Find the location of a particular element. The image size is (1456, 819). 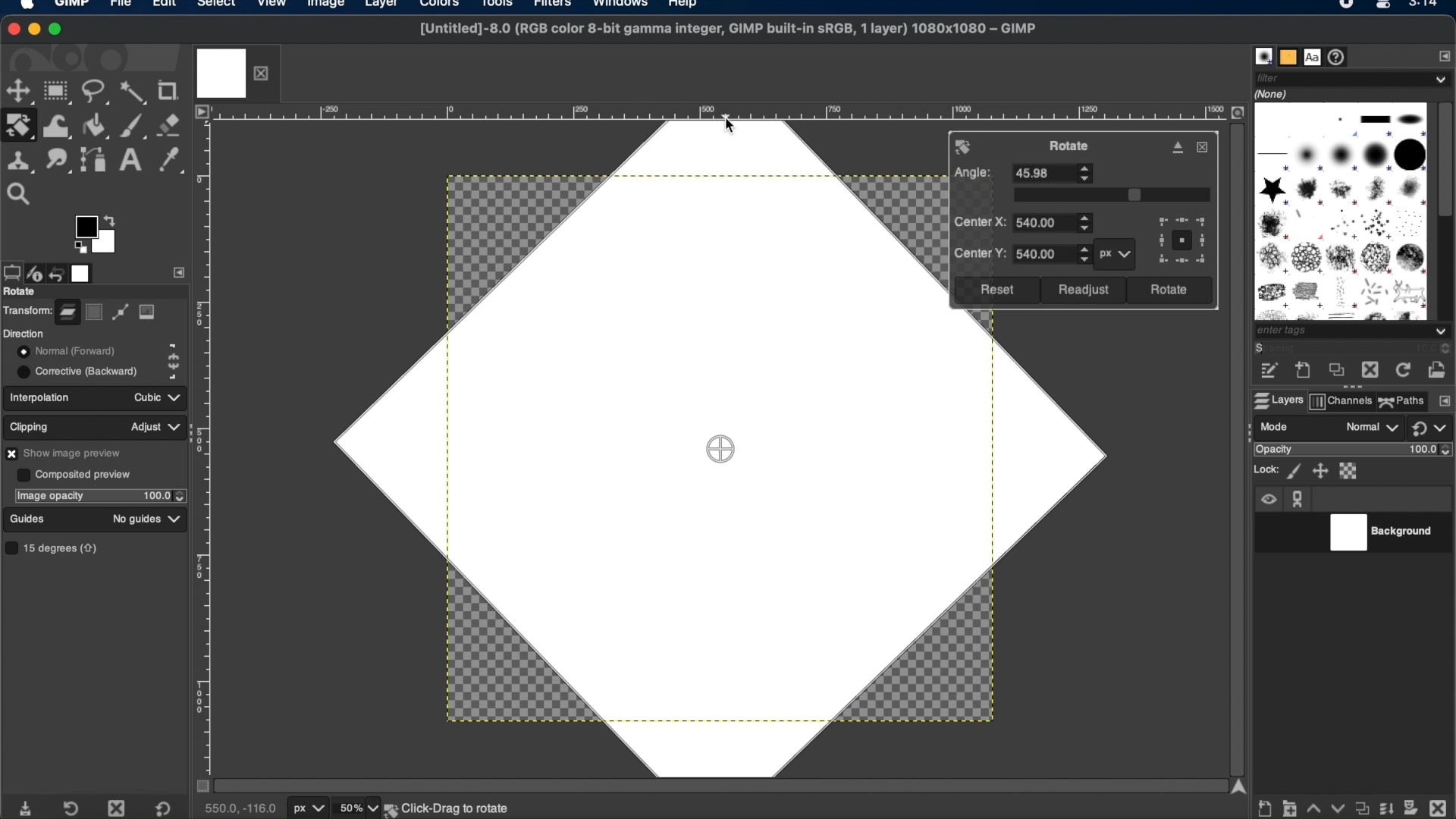

document history is located at coordinates (1340, 57).